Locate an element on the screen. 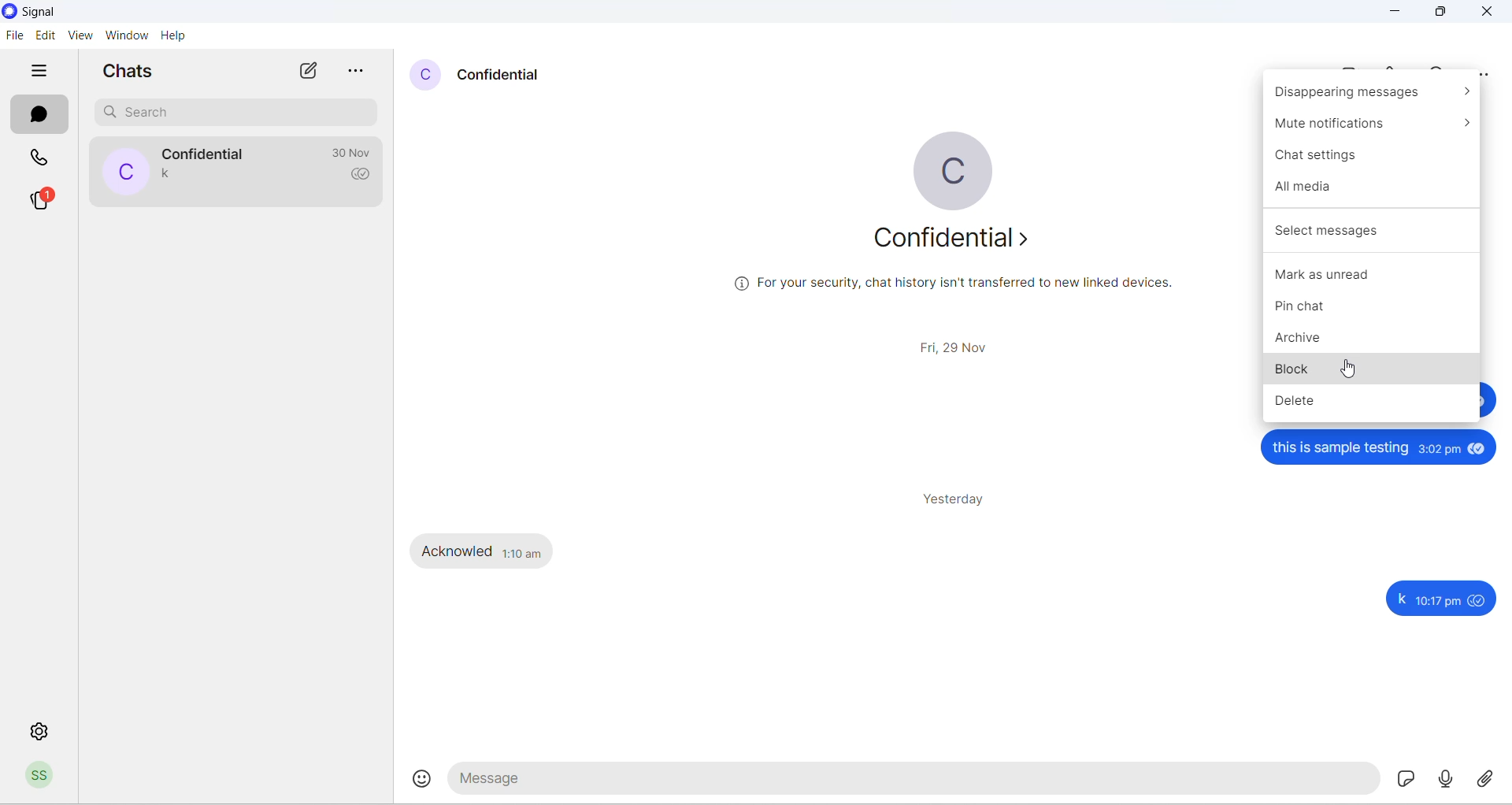 The width and height of the screenshot is (1512, 805). chats is located at coordinates (40, 114).